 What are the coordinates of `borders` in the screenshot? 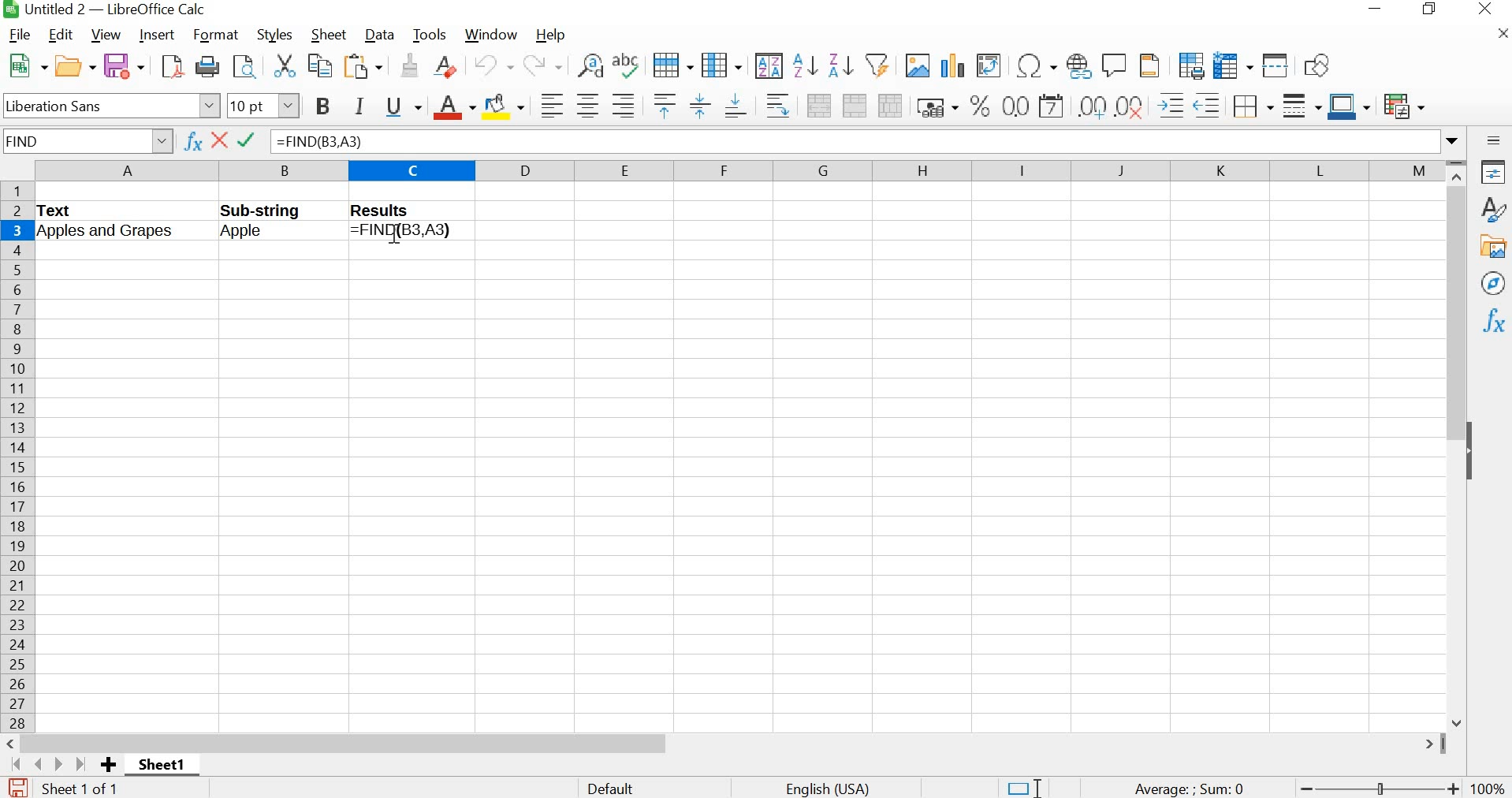 It's located at (1252, 104).